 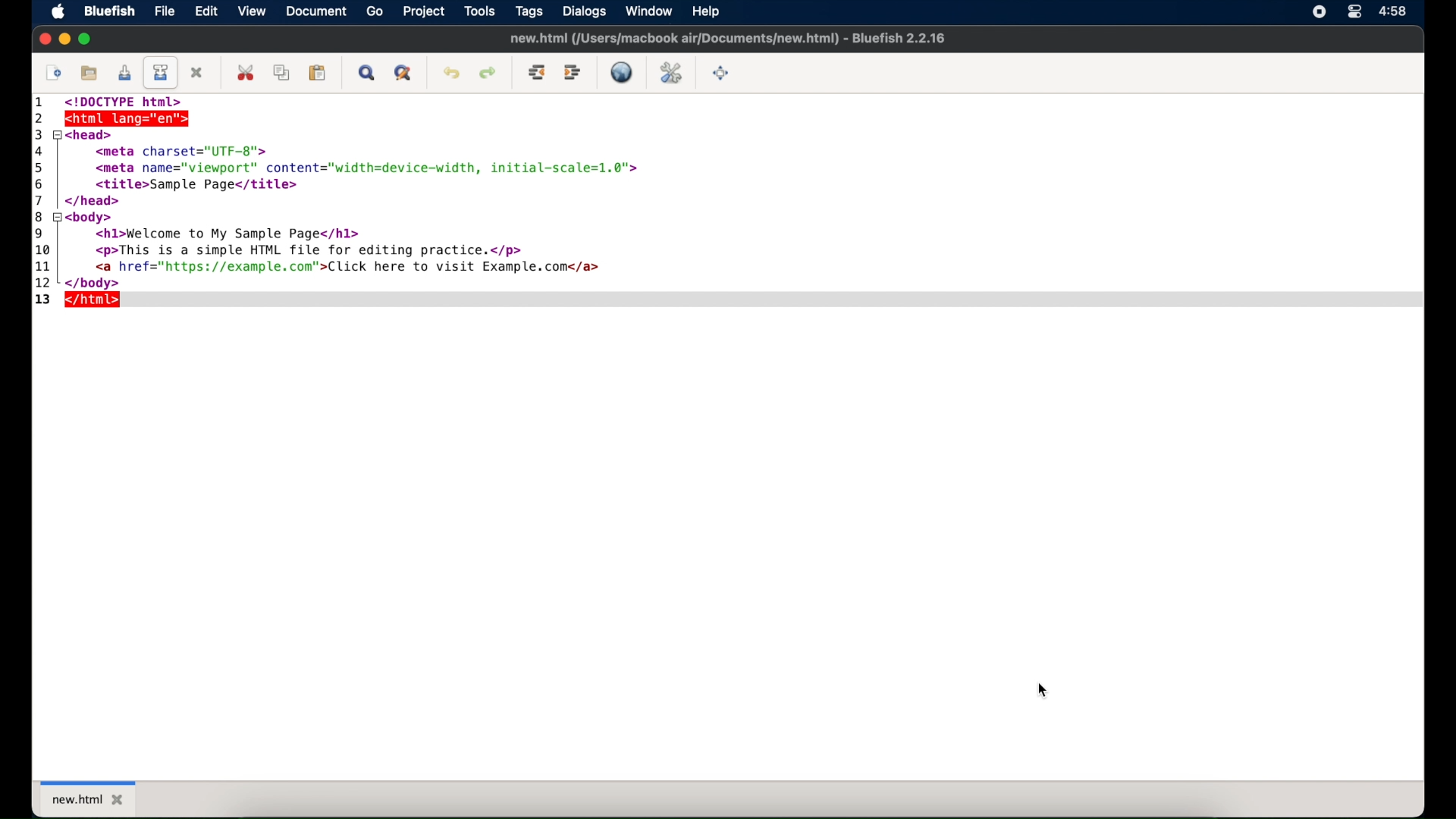 I want to click on document, so click(x=318, y=12).